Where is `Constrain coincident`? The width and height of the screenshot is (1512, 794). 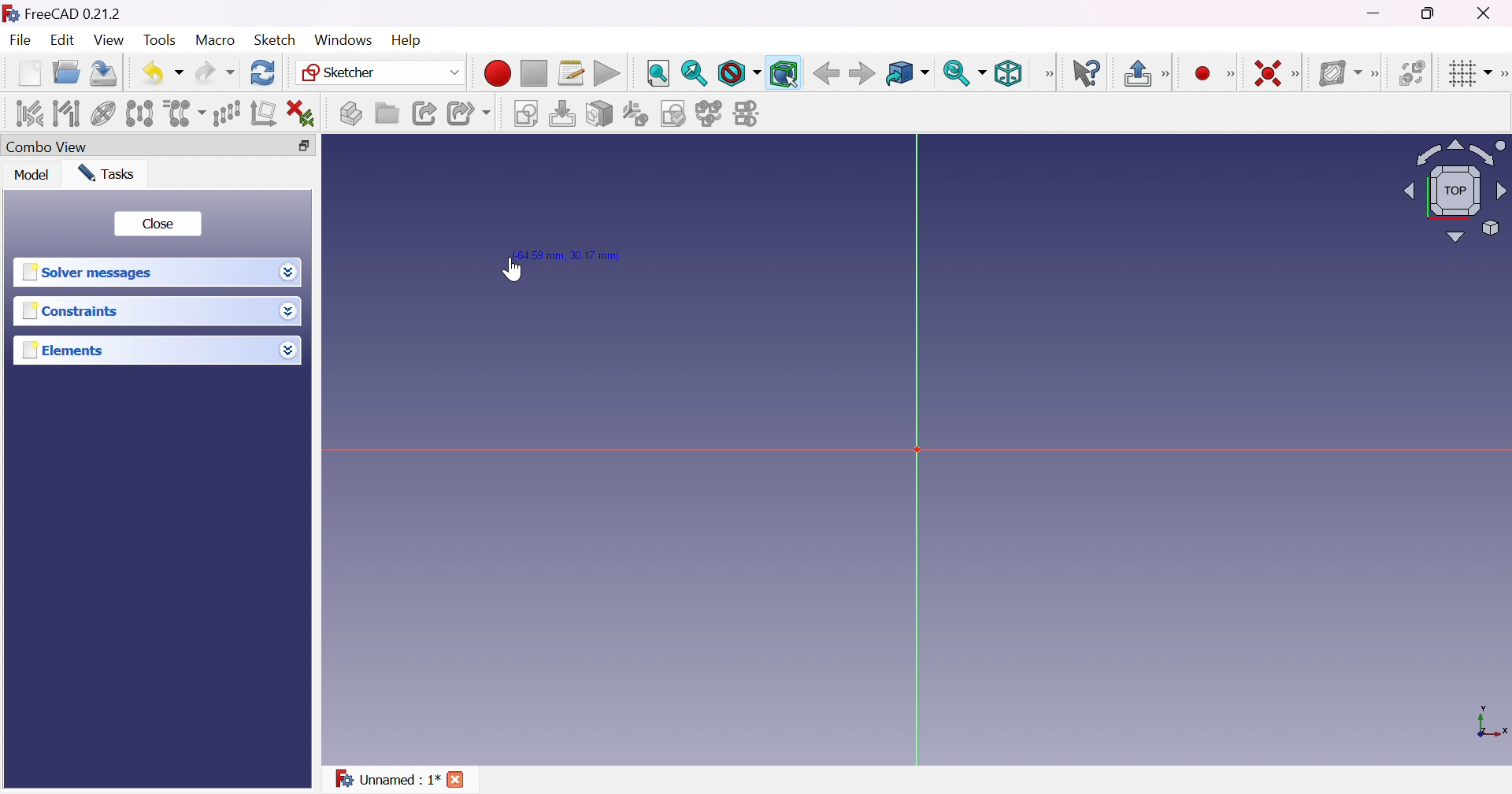
Constrain coincident is located at coordinates (1270, 73).